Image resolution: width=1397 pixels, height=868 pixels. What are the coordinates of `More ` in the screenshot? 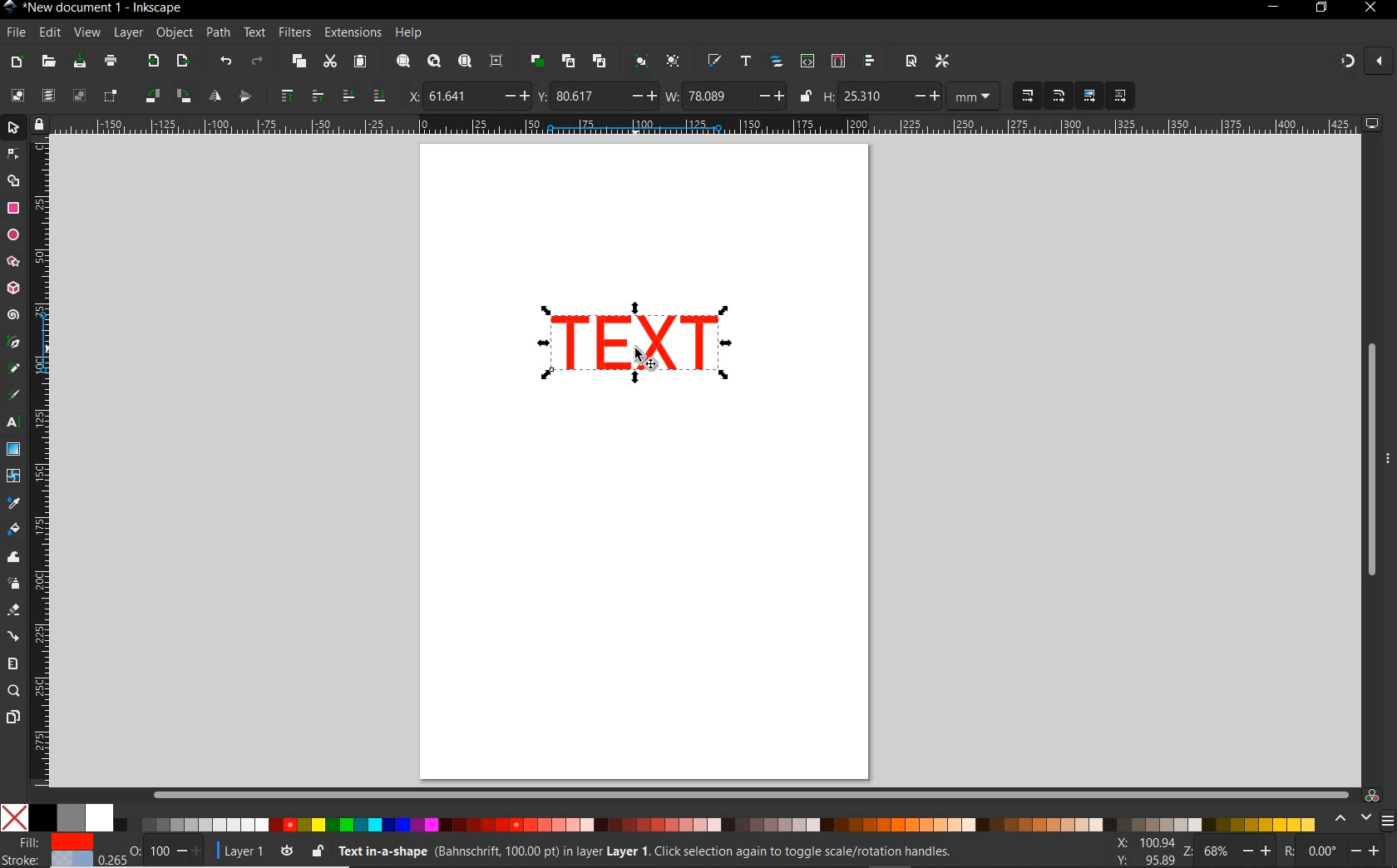 It's located at (1388, 465).